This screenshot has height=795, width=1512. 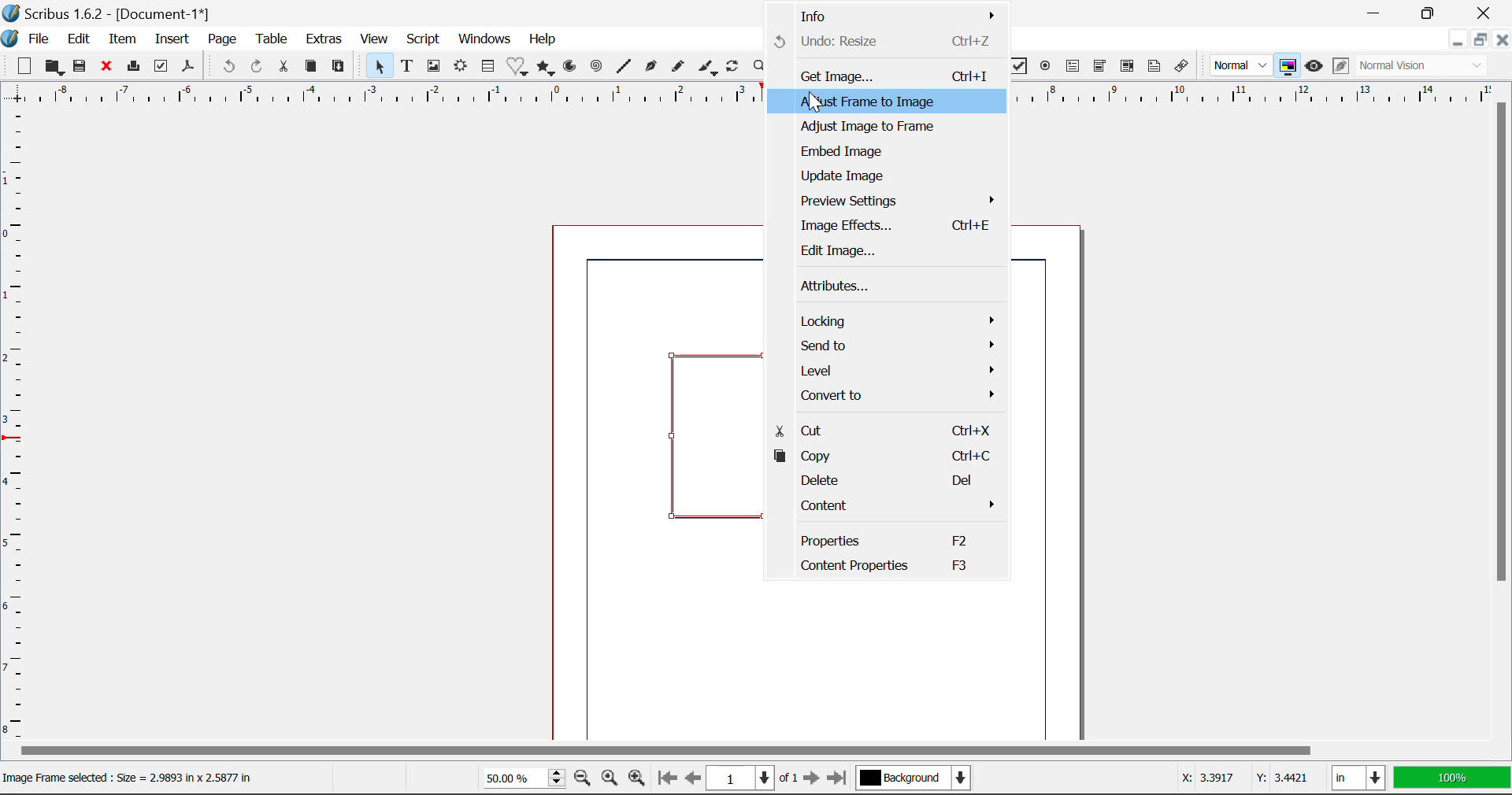 I want to click on Edit Image, so click(x=880, y=250).